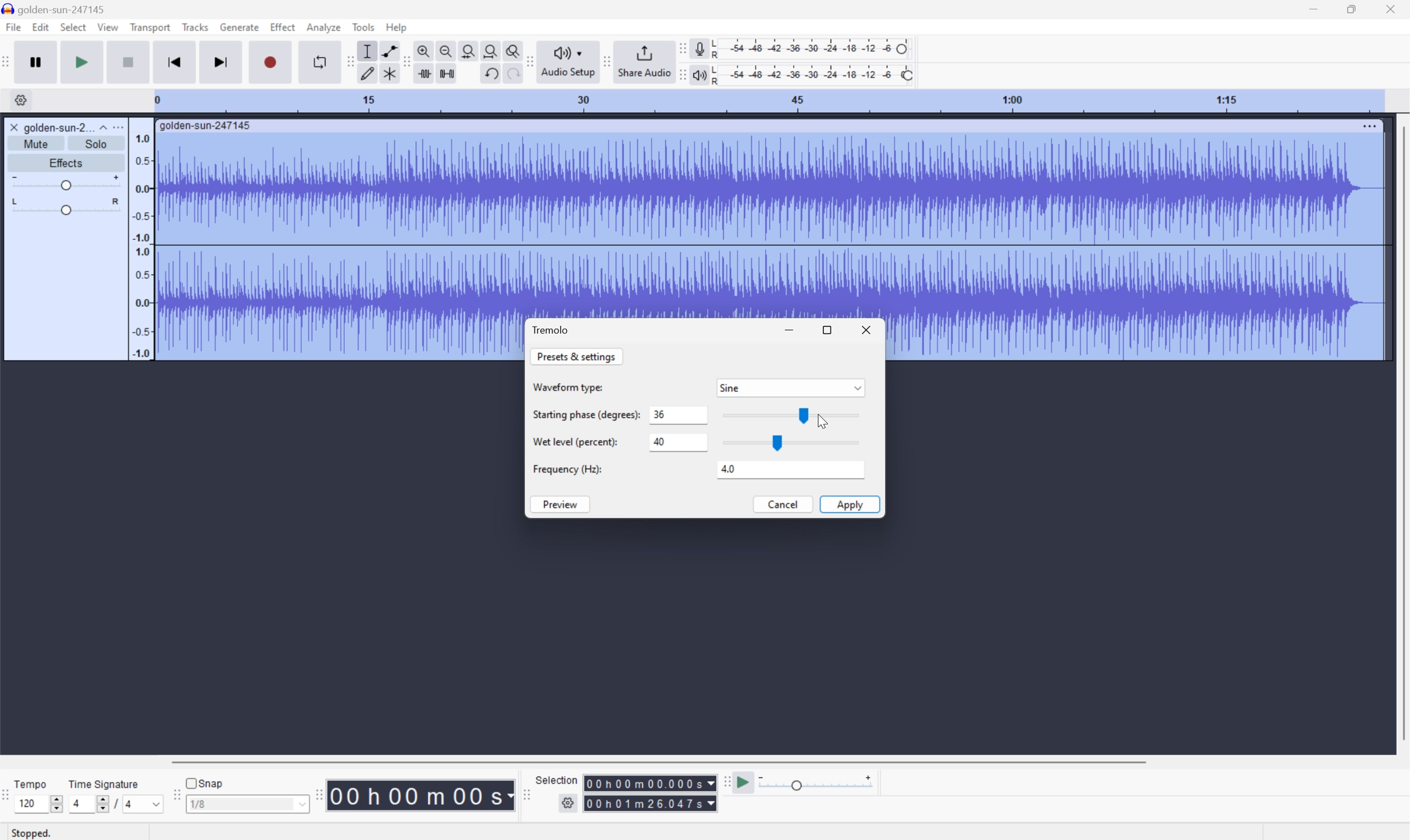  I want to click on Cancel, so click(782, 505).